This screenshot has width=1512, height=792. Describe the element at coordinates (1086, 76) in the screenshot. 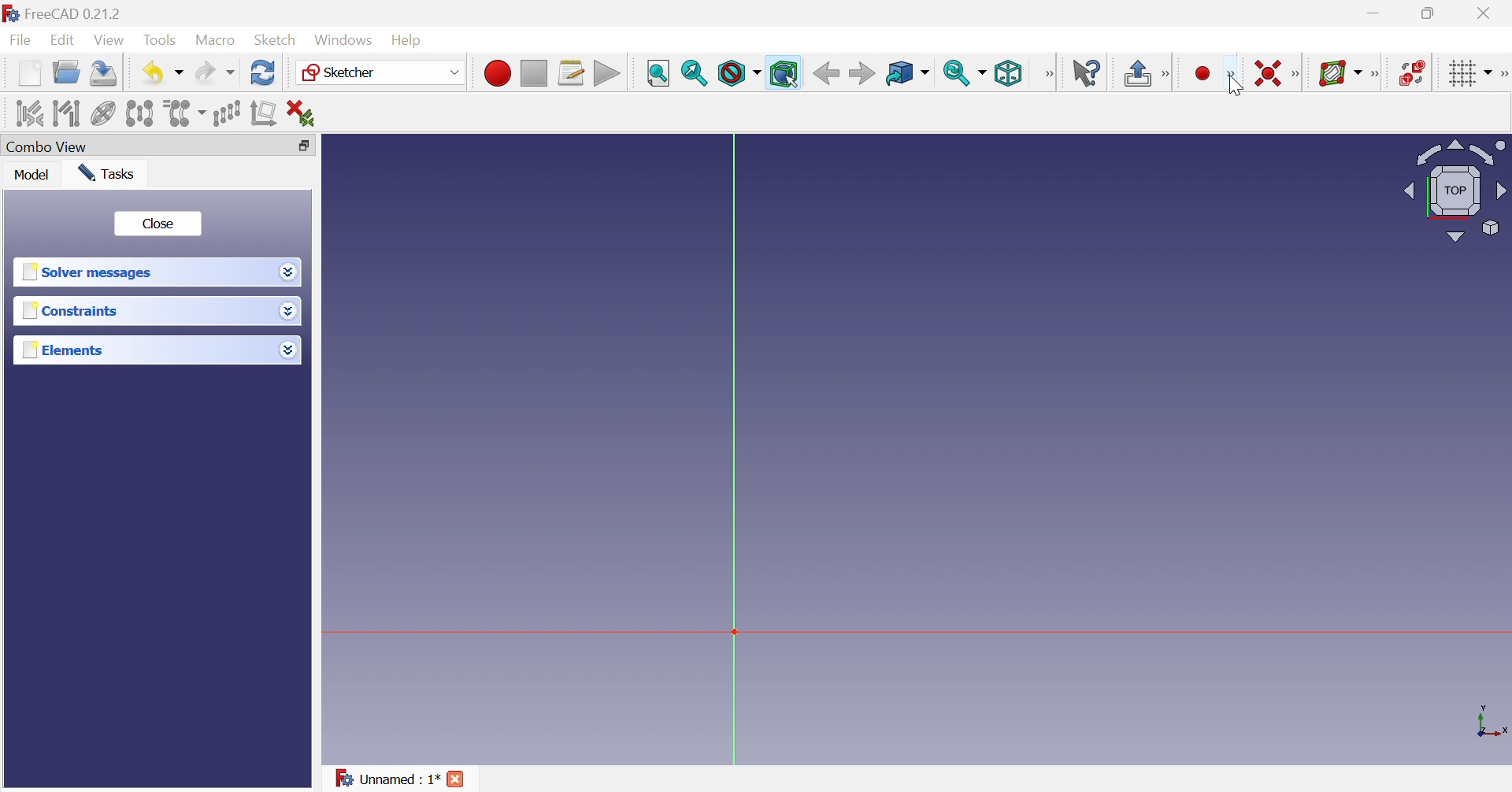

I see `What's this?` at that location.